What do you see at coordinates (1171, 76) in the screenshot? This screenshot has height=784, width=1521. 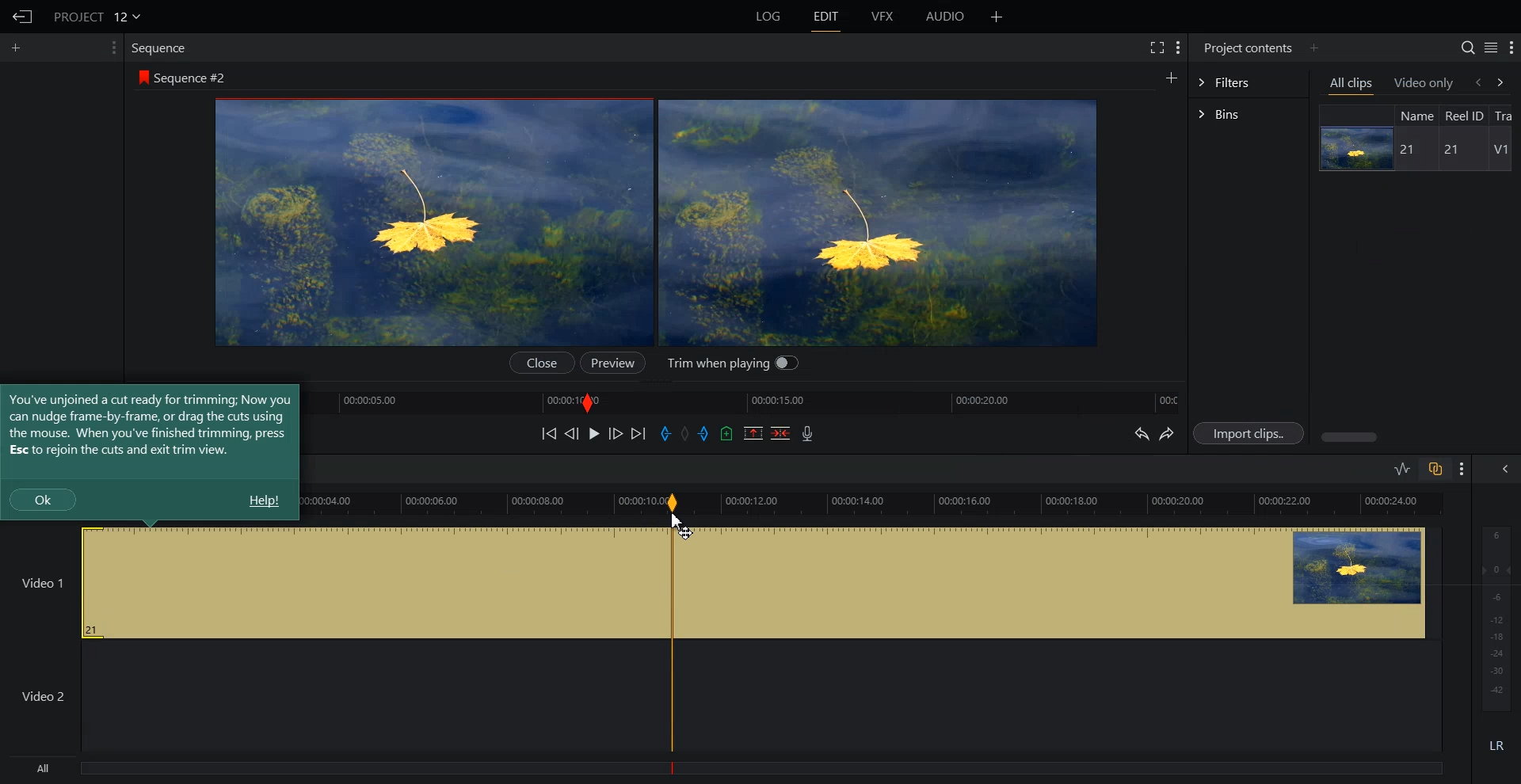 I see `Add Panel` at bounding box center [1171, 76].